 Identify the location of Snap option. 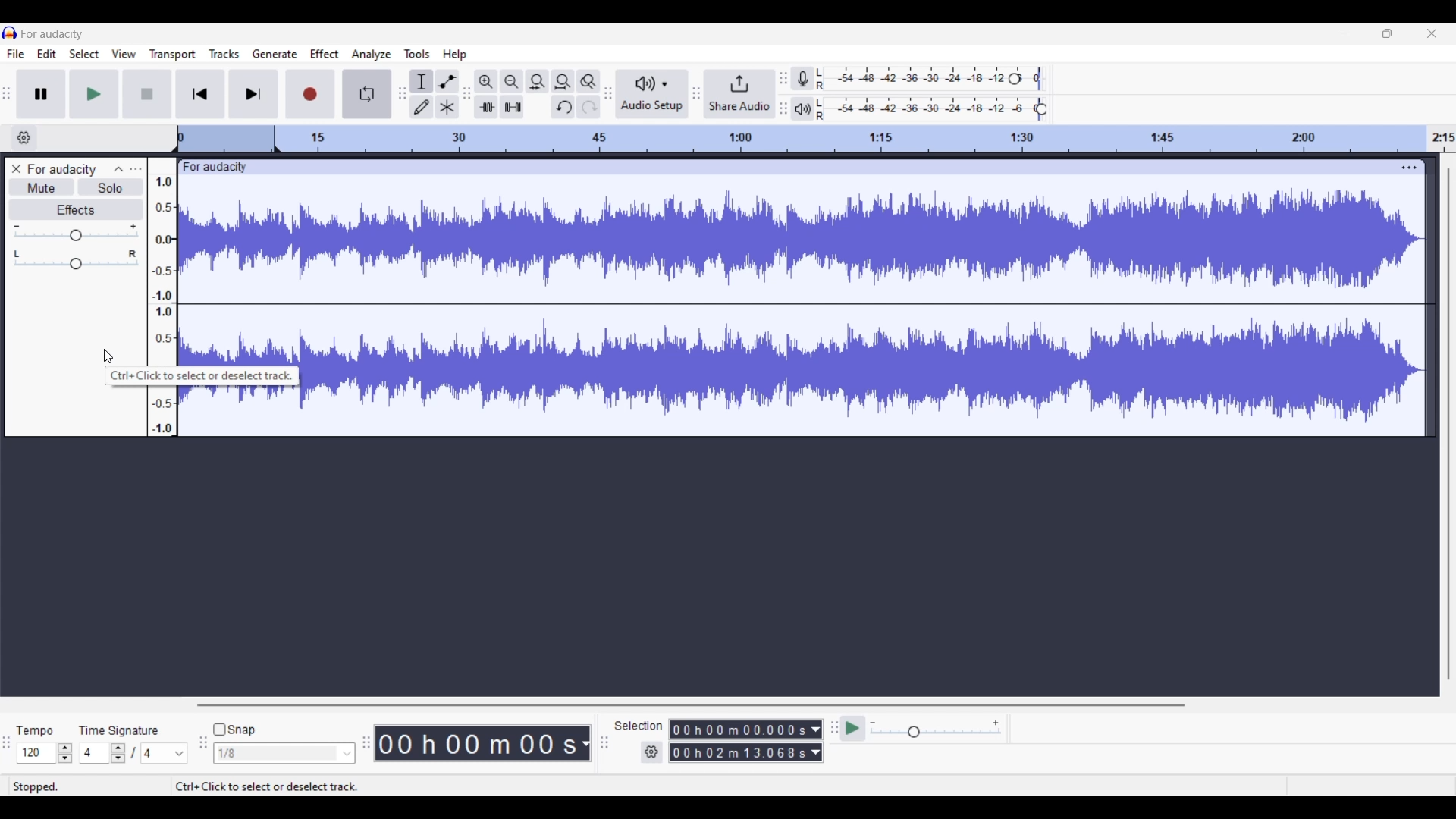
(348, 754).